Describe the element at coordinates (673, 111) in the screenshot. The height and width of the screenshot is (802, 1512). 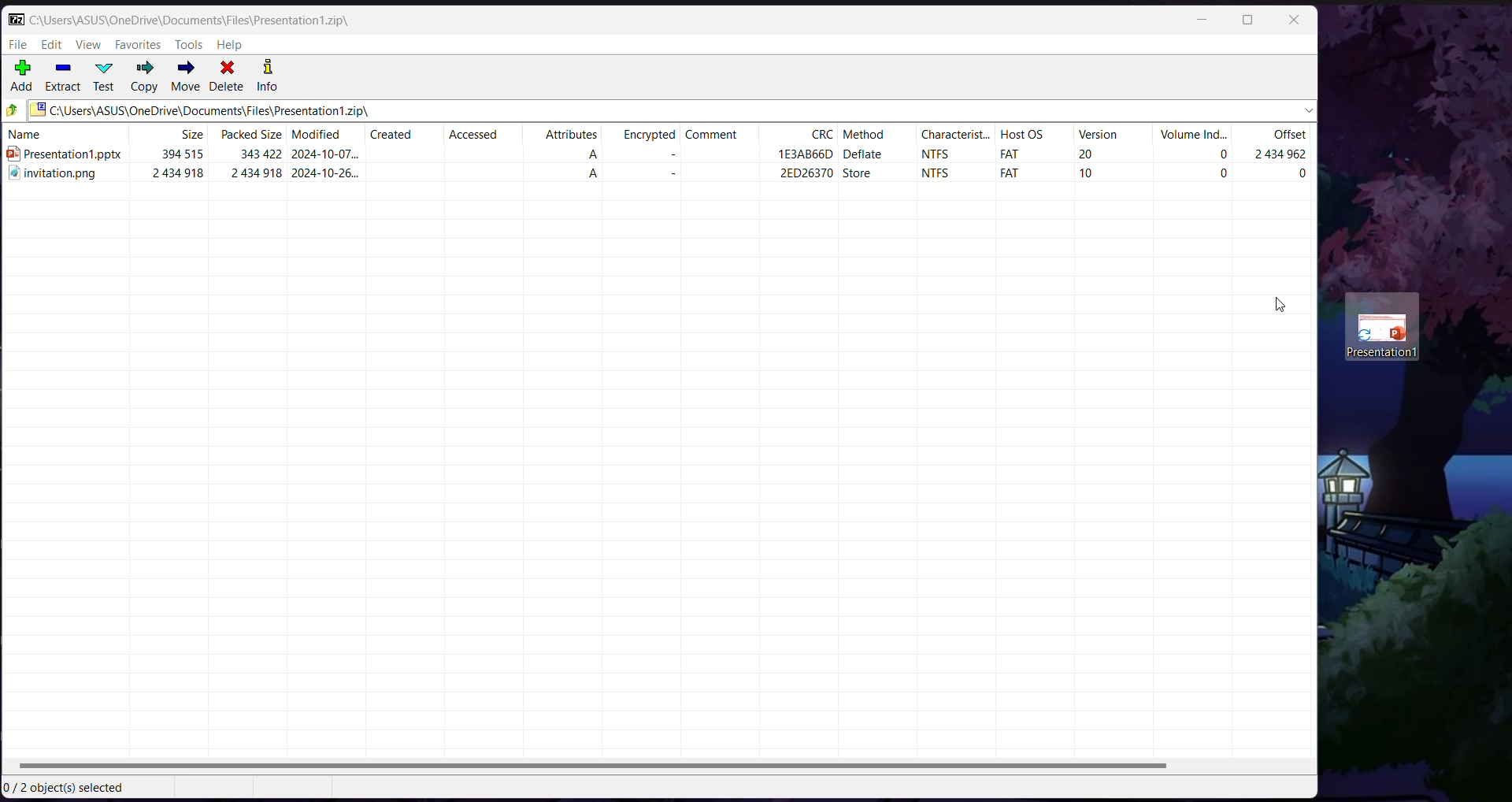
I see `Current Folder Path` at that location.